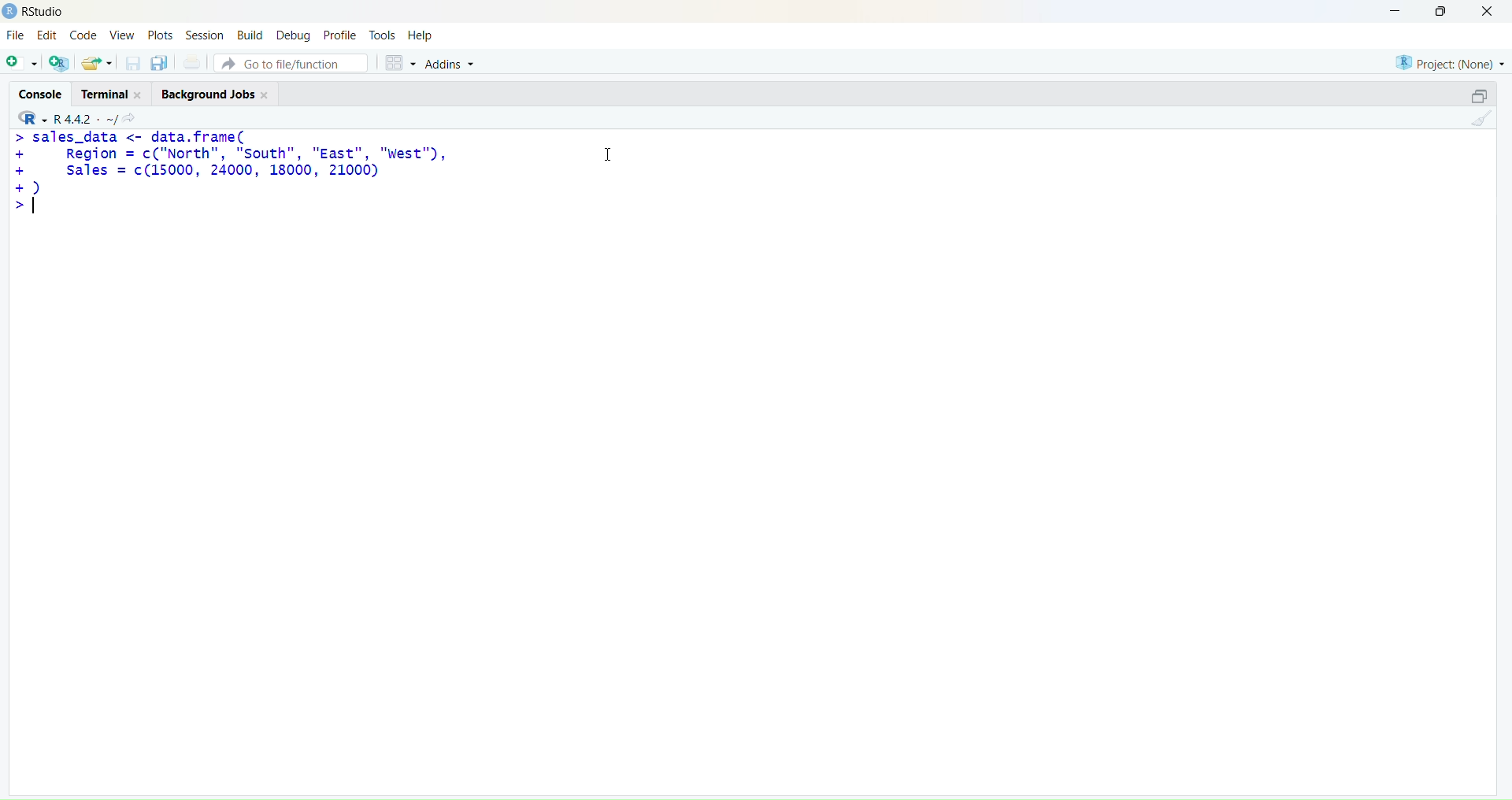 The width and height of the screenshot is (1512, 800). What do you see at coordinates (124, 36) in the screenshot?
I see `View` at bounding box center [124, 36].